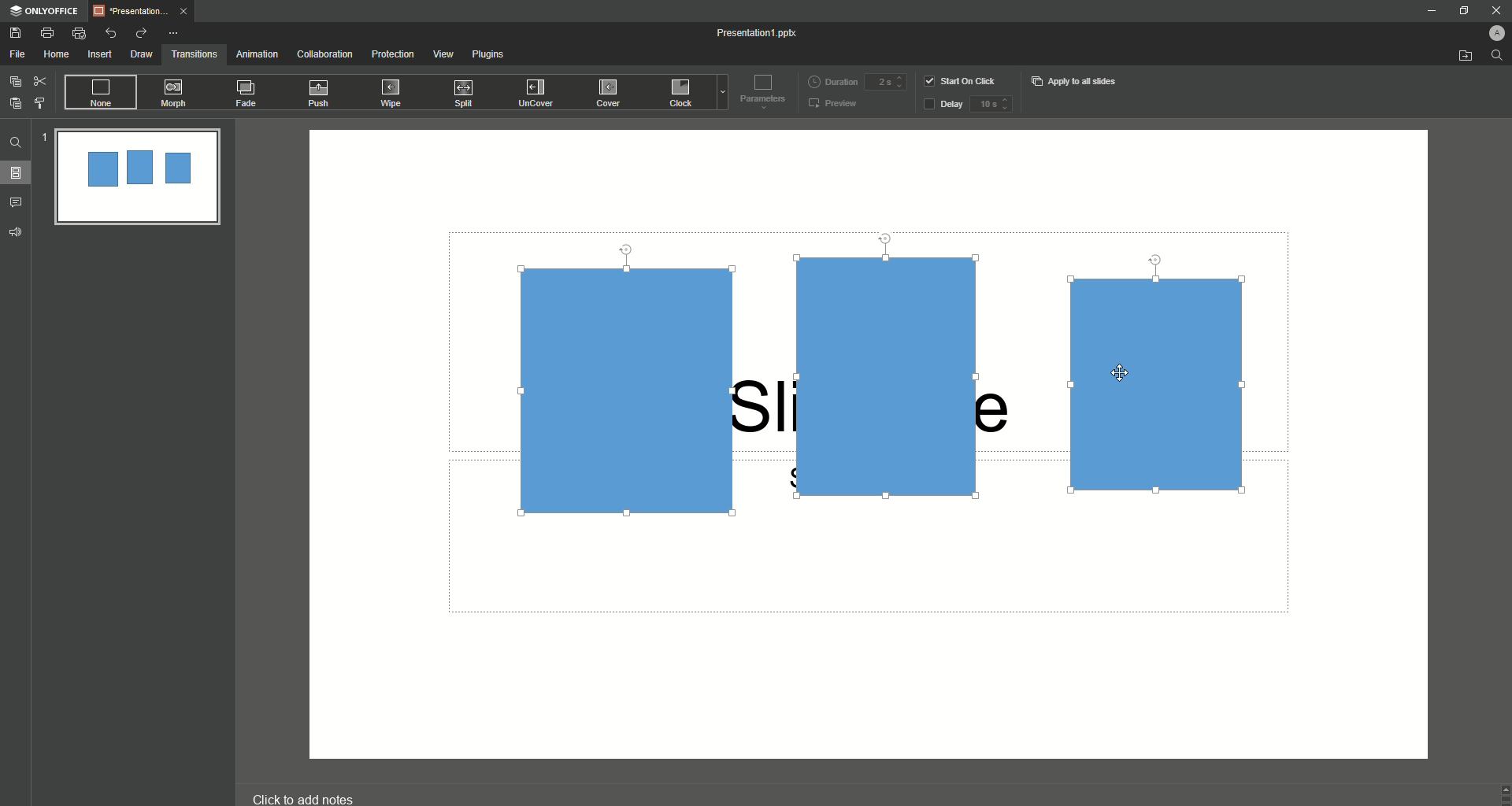 The height and width of the screenshot is (806, 1512). Describe the element at coordinates (16, 33) in the screenshot. I see `Save` at that location.